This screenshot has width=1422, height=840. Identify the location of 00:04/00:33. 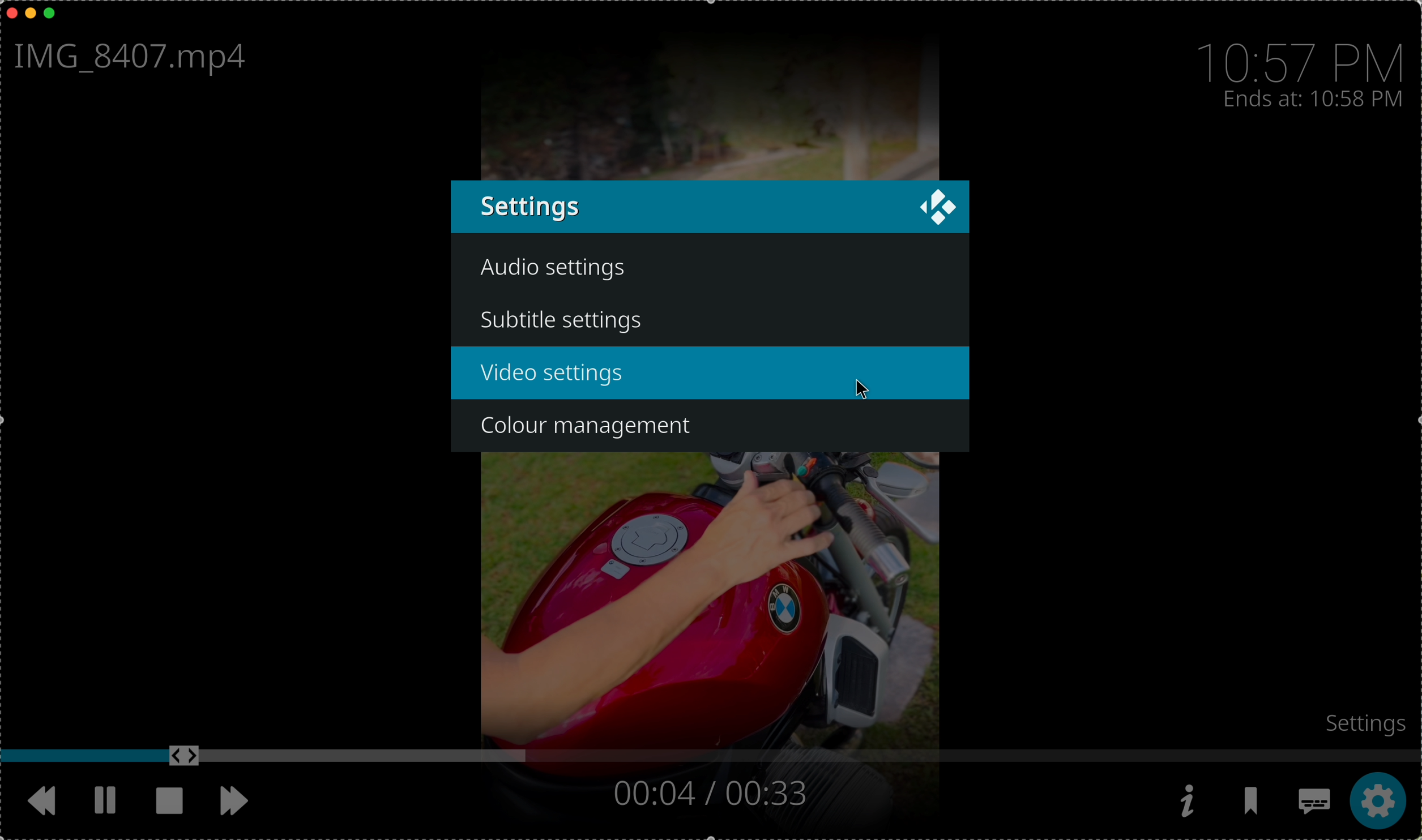
(707, 793).